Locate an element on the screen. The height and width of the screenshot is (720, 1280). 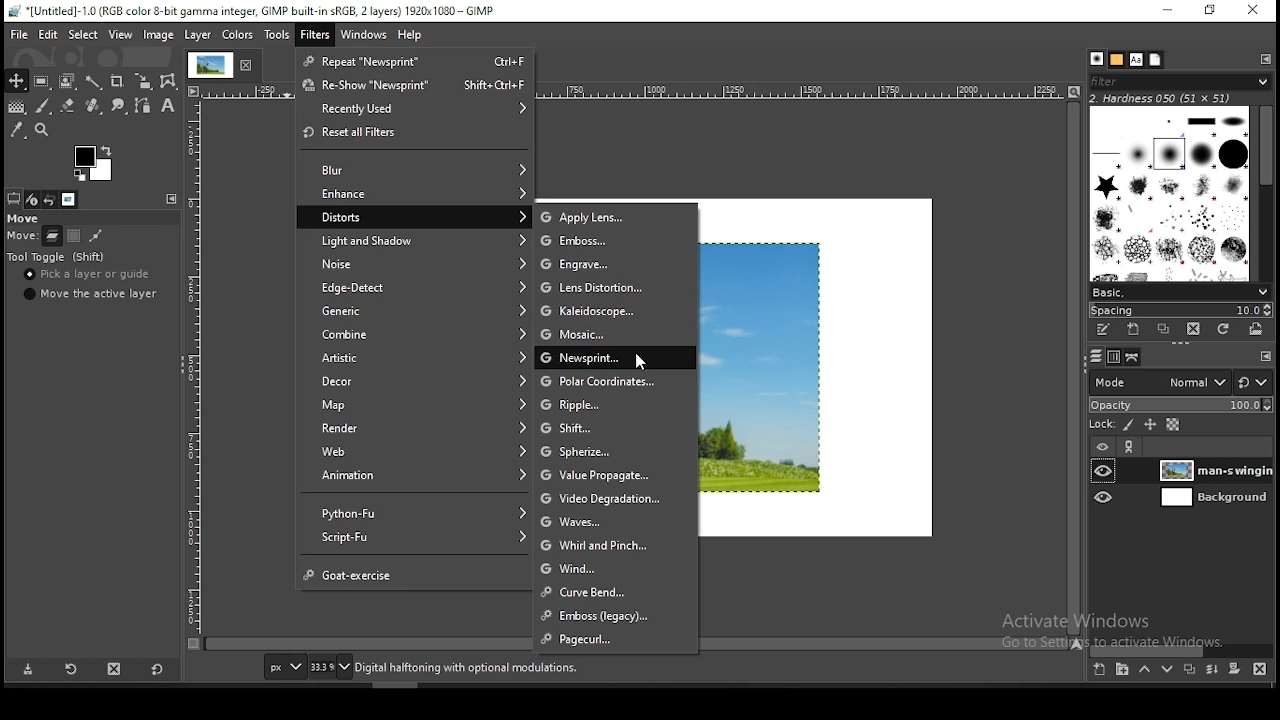
mouse pointer is located at coordinates (642, 363).